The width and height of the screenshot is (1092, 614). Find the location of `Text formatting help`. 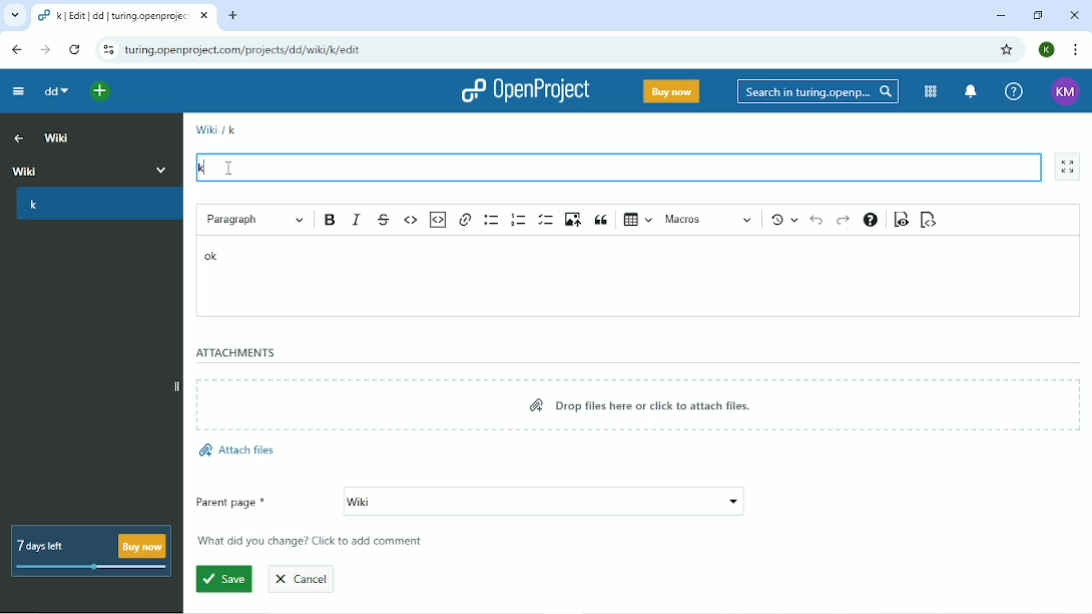

Text formatting help is located at coordinates (870, 220).